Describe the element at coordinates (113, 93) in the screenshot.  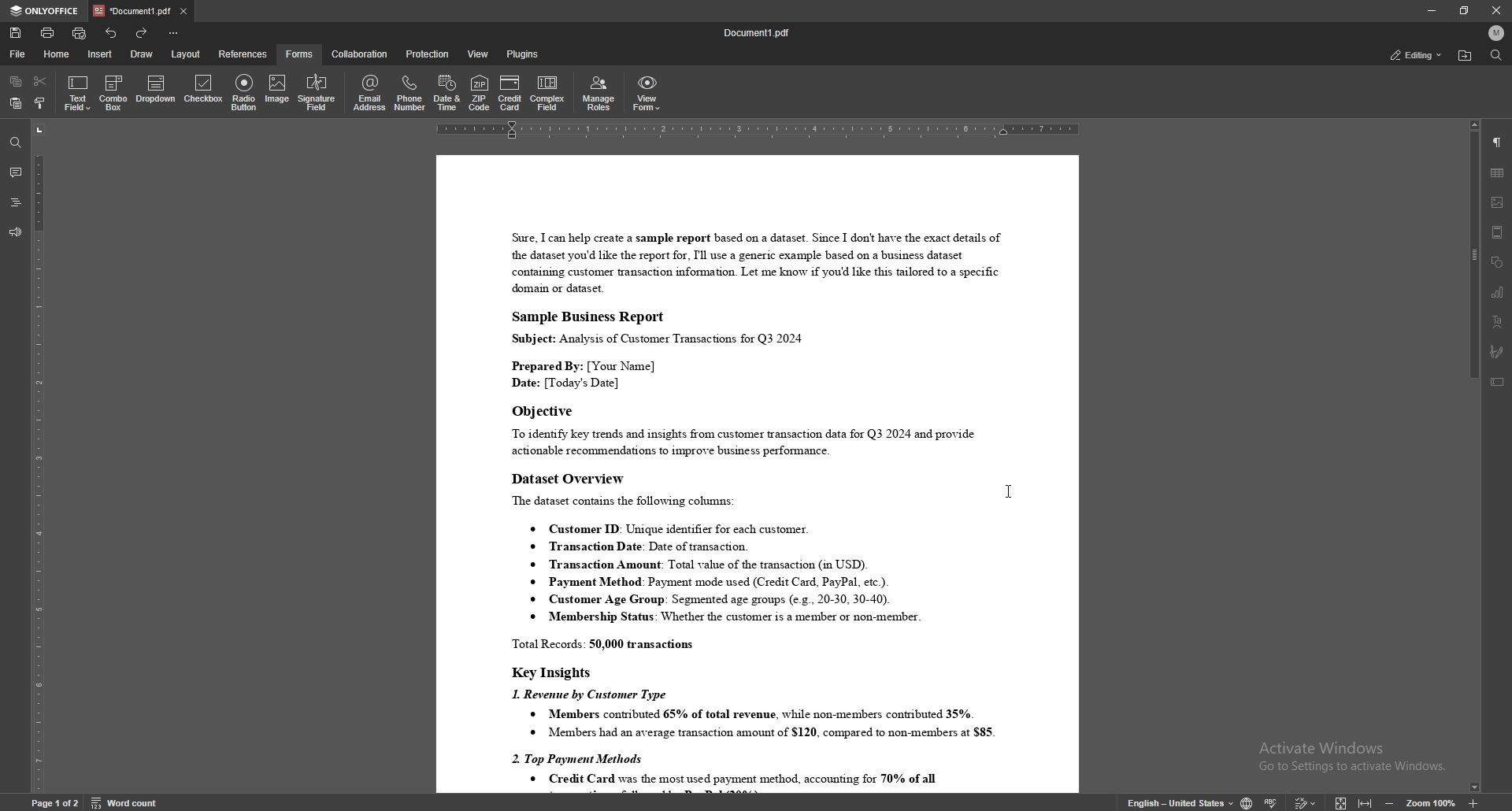
I see `combo box` at that location.